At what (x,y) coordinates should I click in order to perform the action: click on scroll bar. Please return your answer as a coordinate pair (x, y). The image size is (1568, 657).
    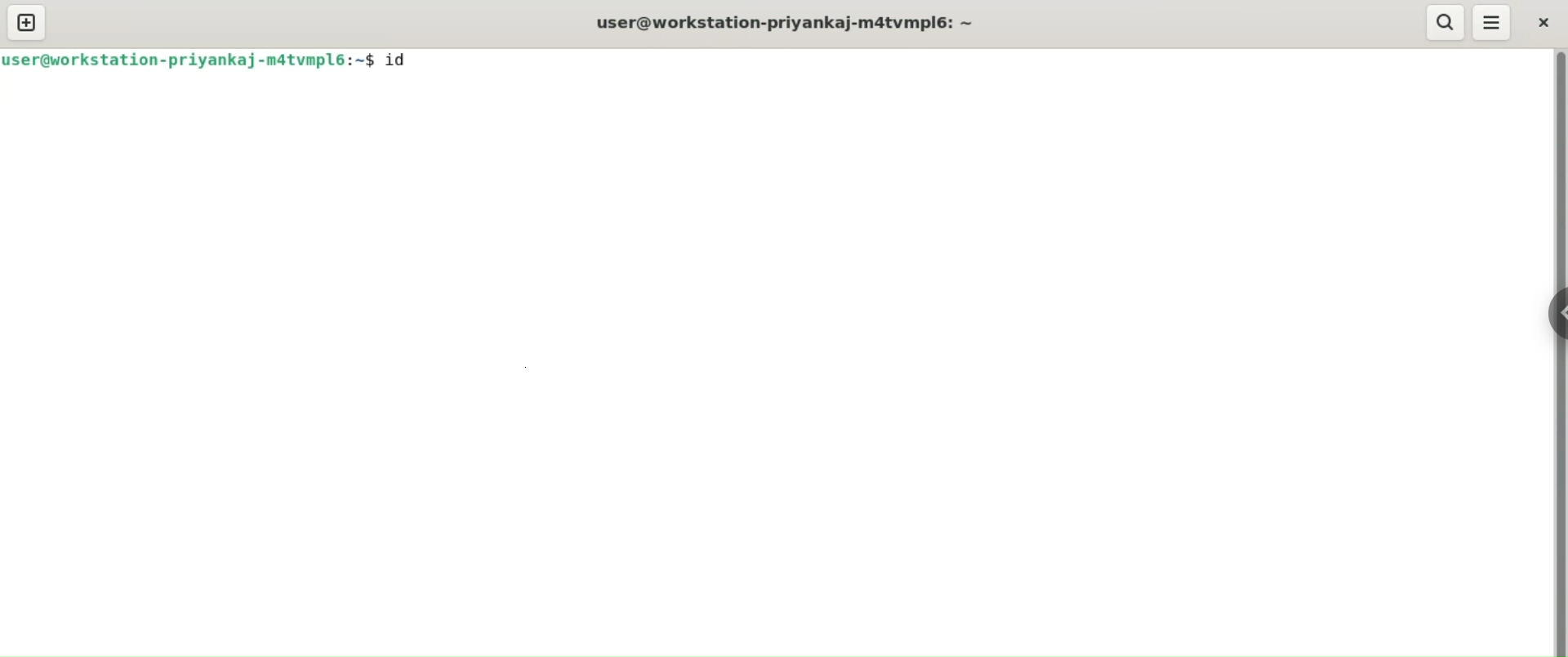
    Looking at the image, I should click on (1558, 353).